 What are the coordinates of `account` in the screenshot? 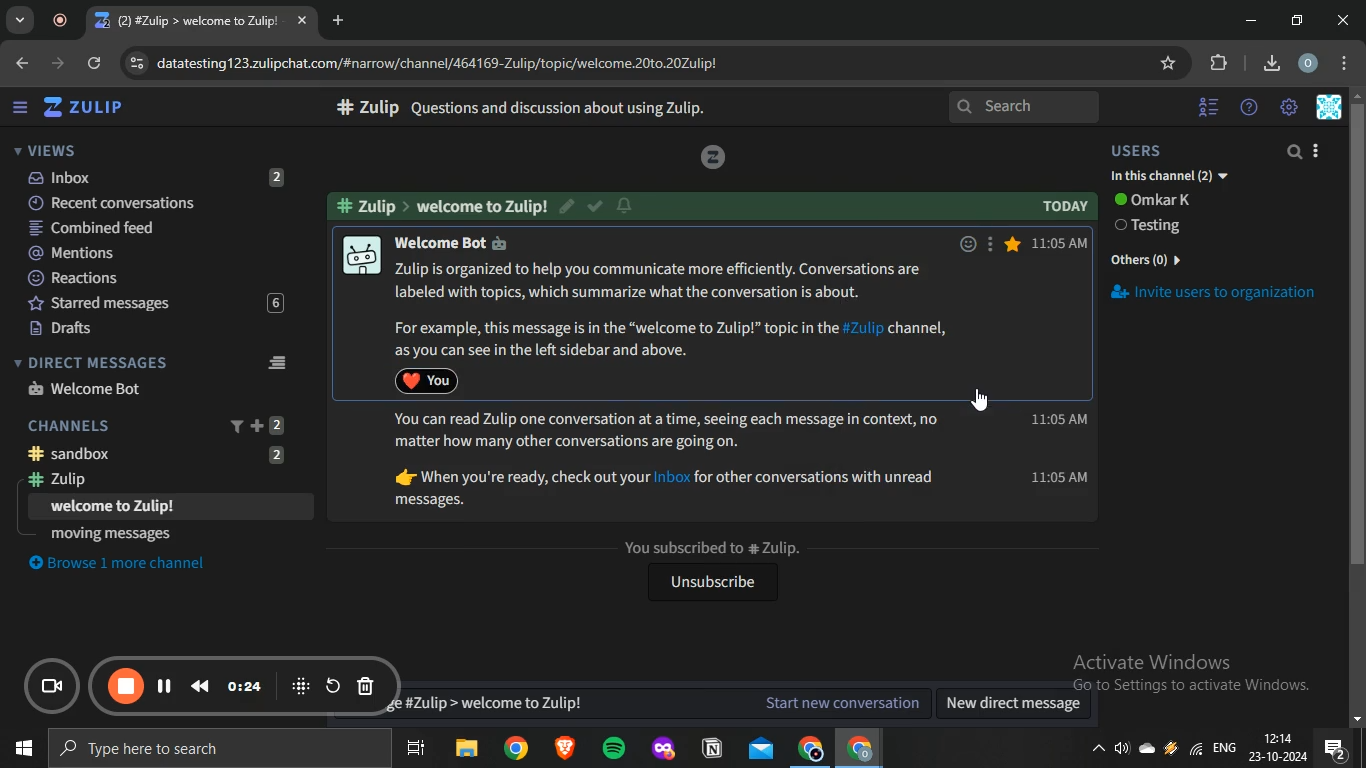 It's located at (1309, 64).